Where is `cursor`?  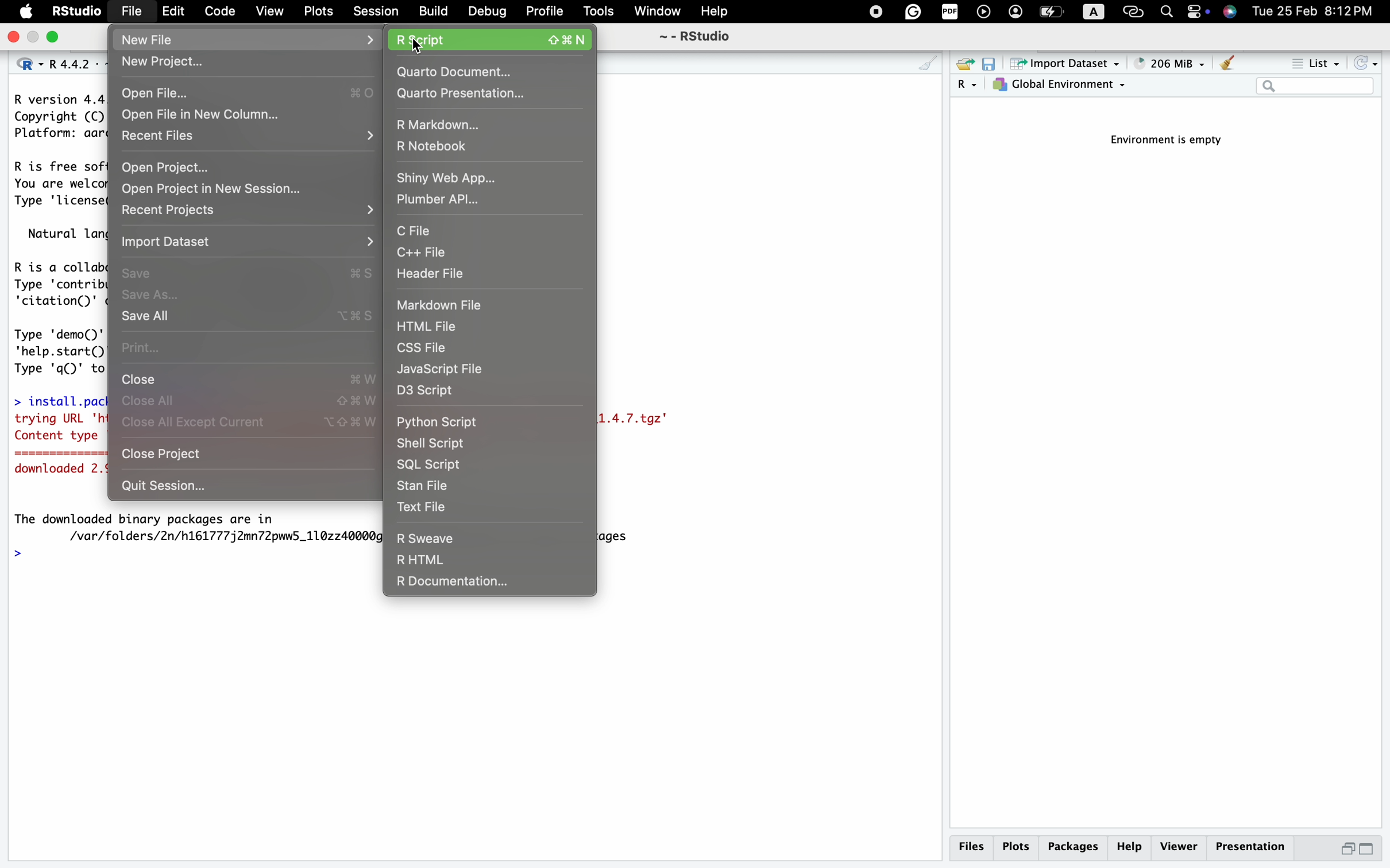 cursor is located at coordinates (418, 47).